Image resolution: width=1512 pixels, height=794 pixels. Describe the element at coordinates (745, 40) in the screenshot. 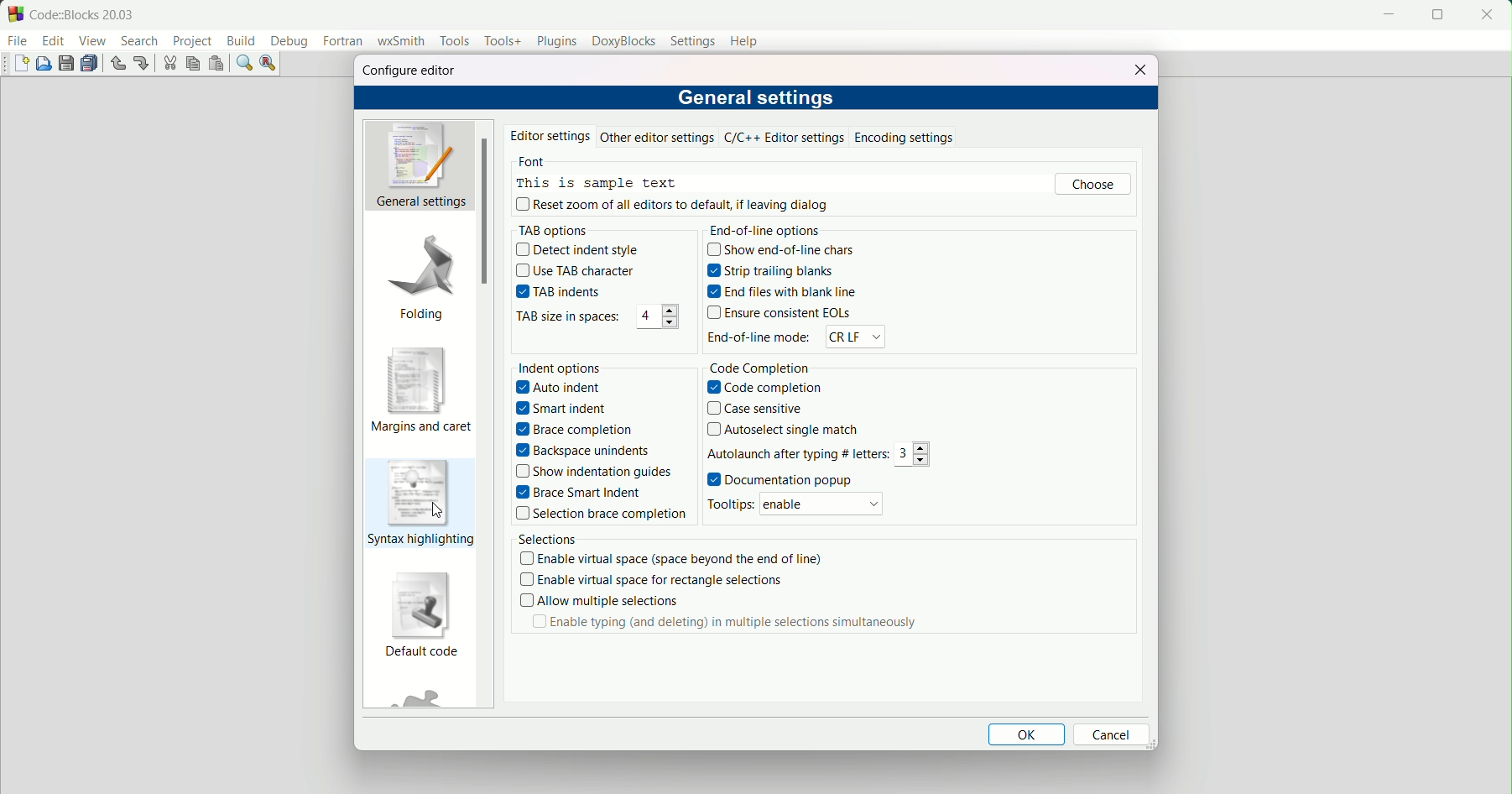

I see `help` at that location.